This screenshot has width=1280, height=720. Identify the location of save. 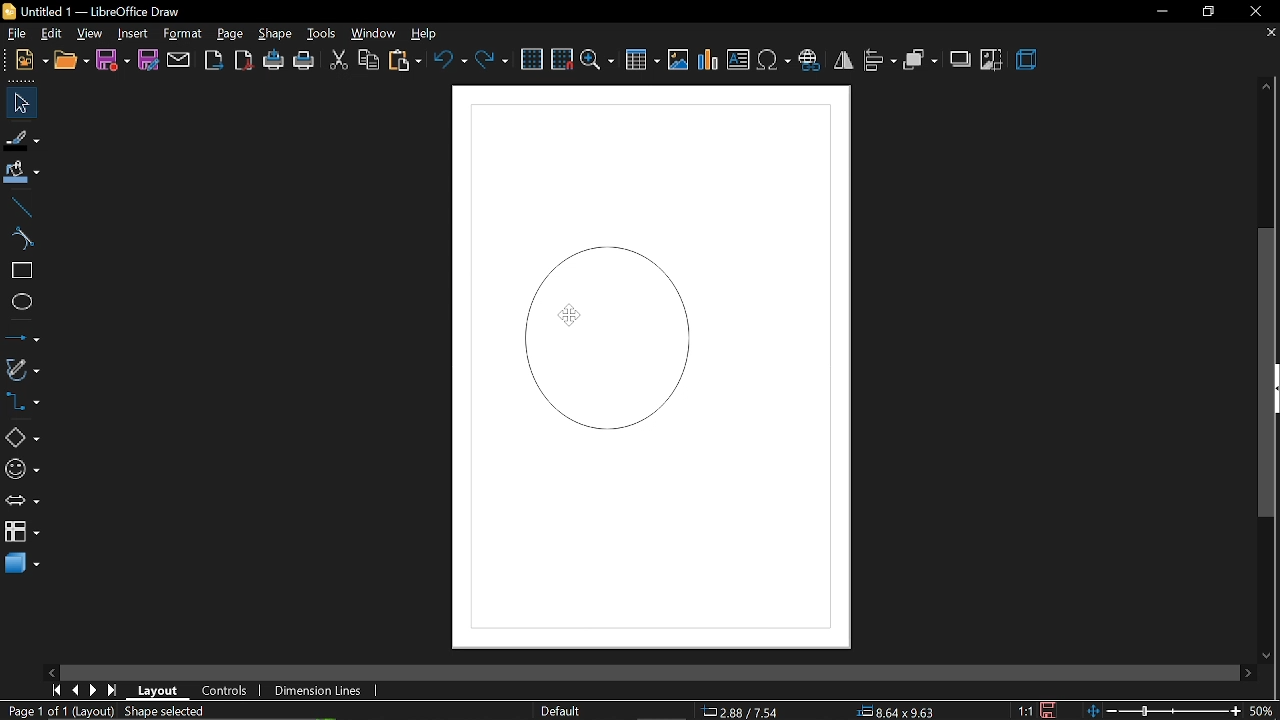
(113, 61).